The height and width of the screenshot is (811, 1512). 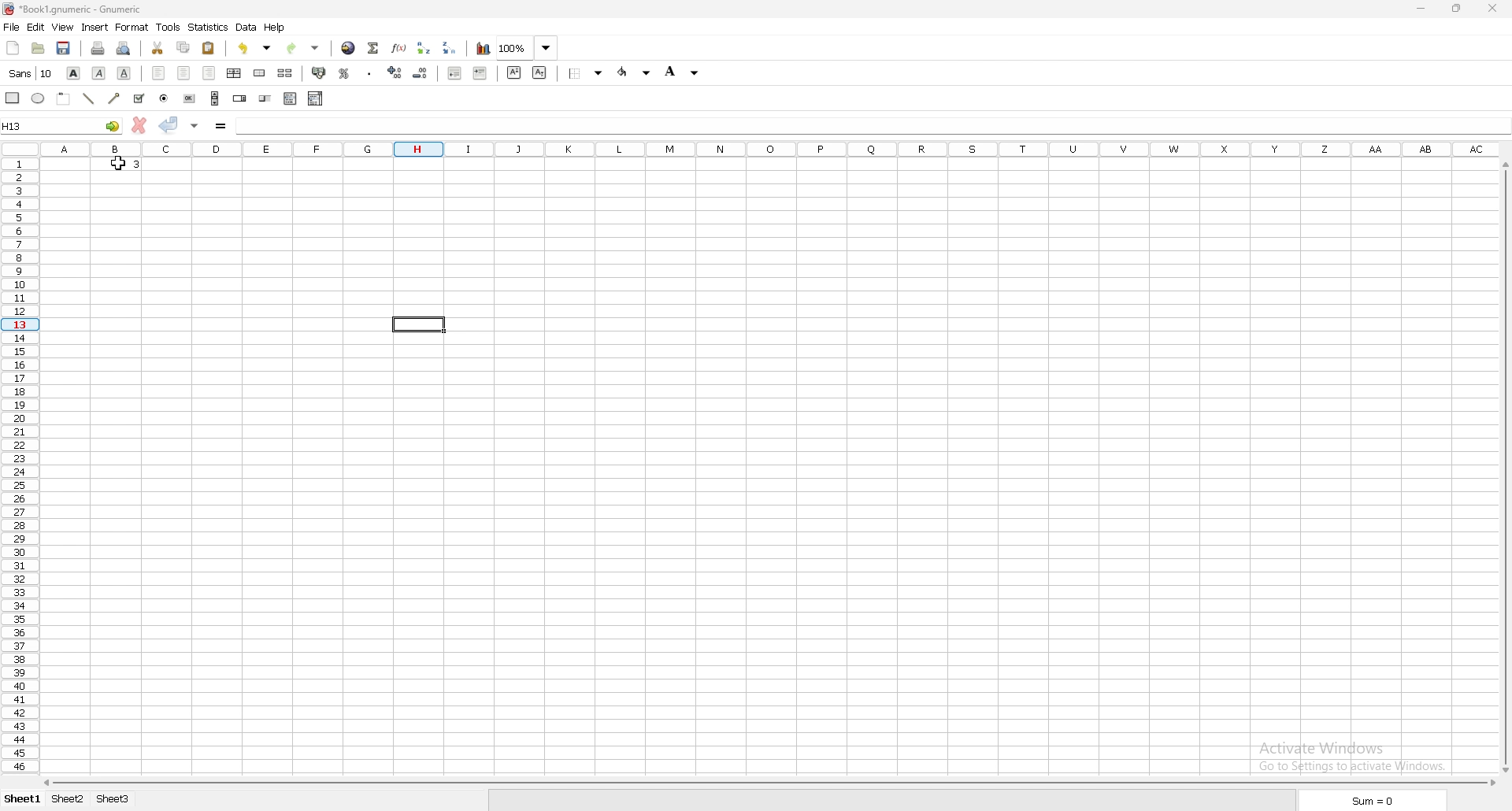 I want to click on edit, so click(x=35, y=28).